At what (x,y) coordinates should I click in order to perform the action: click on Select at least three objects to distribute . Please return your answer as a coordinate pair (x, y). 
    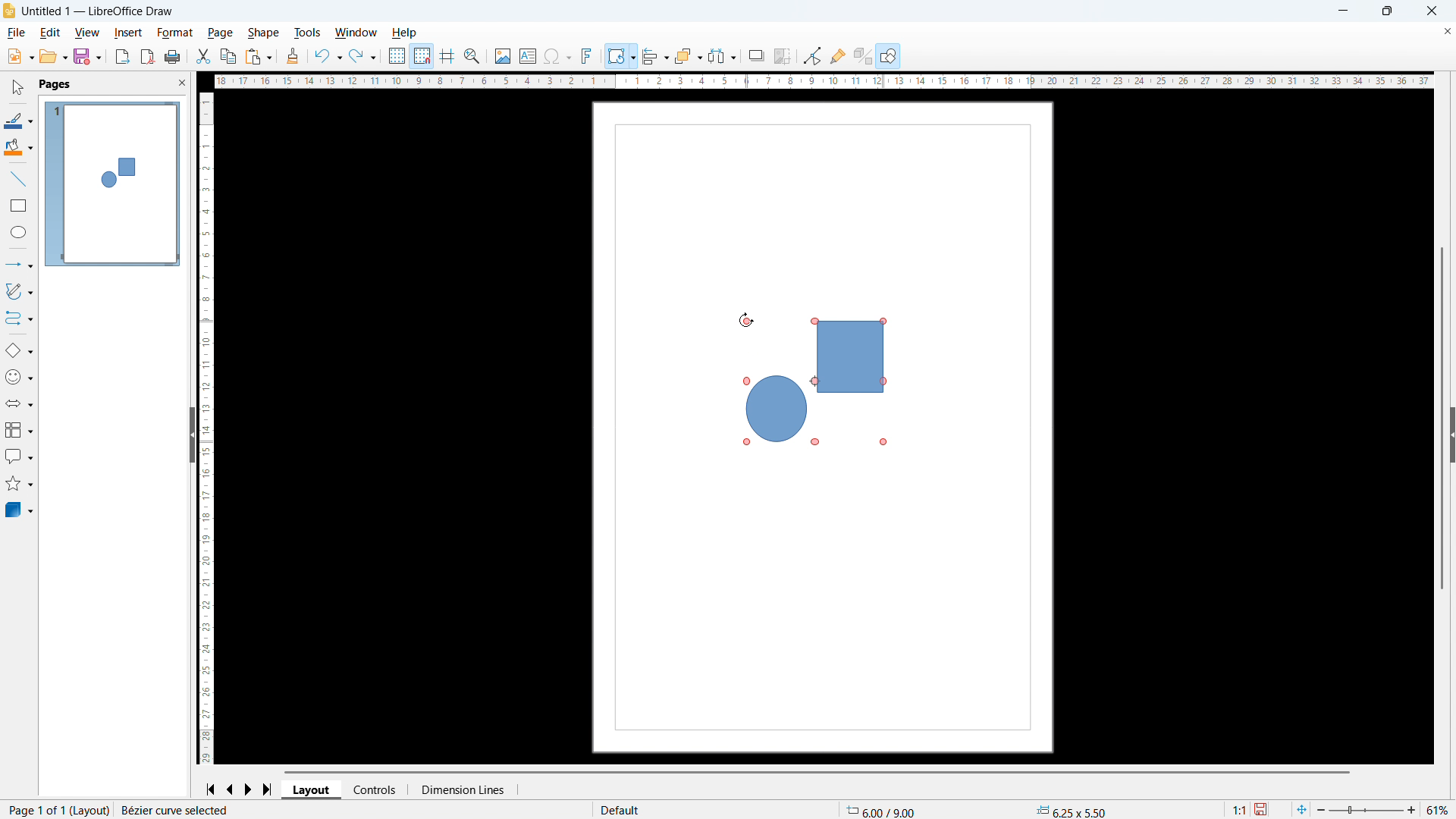
    Looking at the image, I should click on (722, 55).